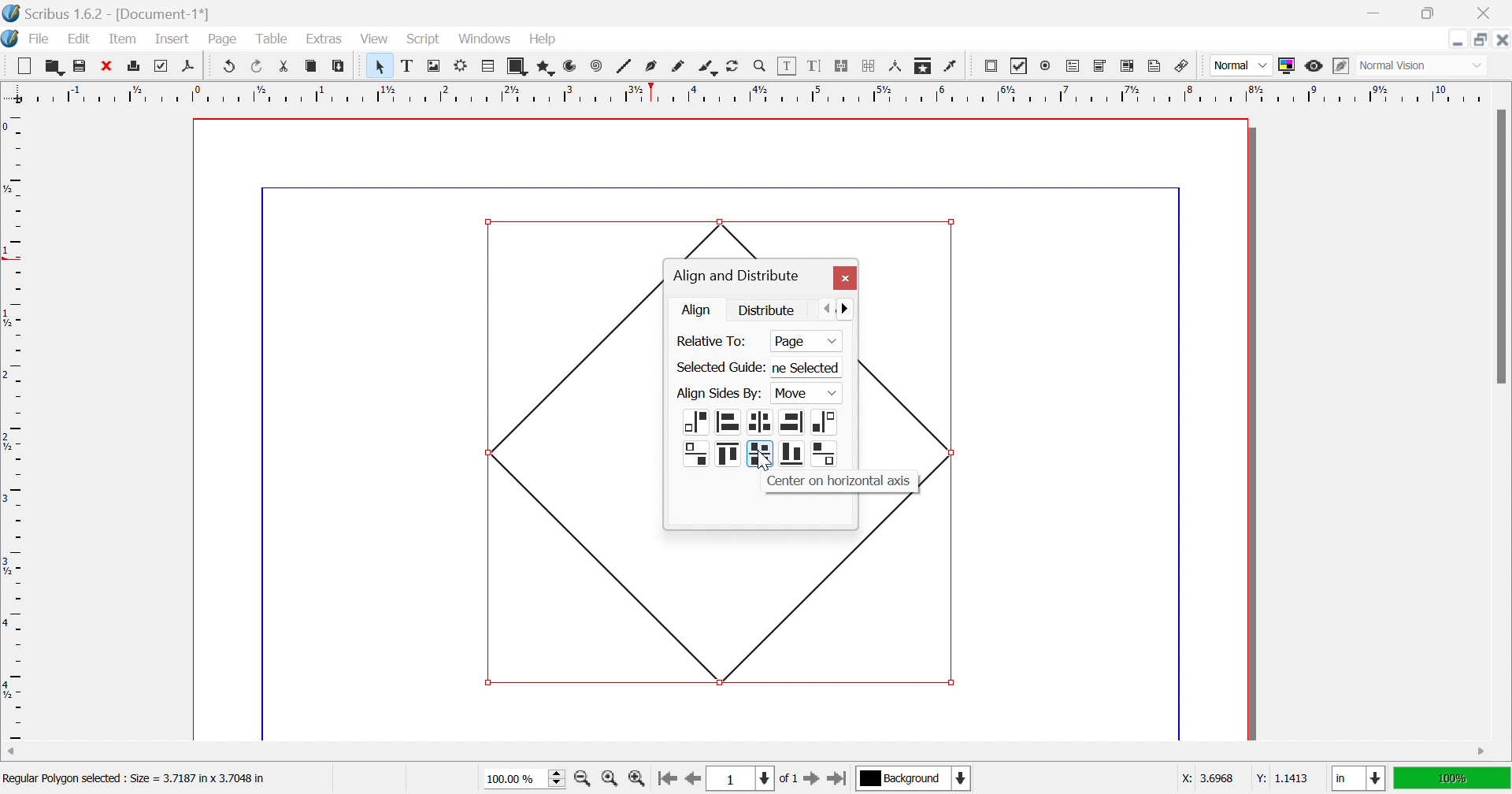 Image resolution: width=1512 pixels, height=794 pixels. I want to click on PDF List box, so click(1128, 65).